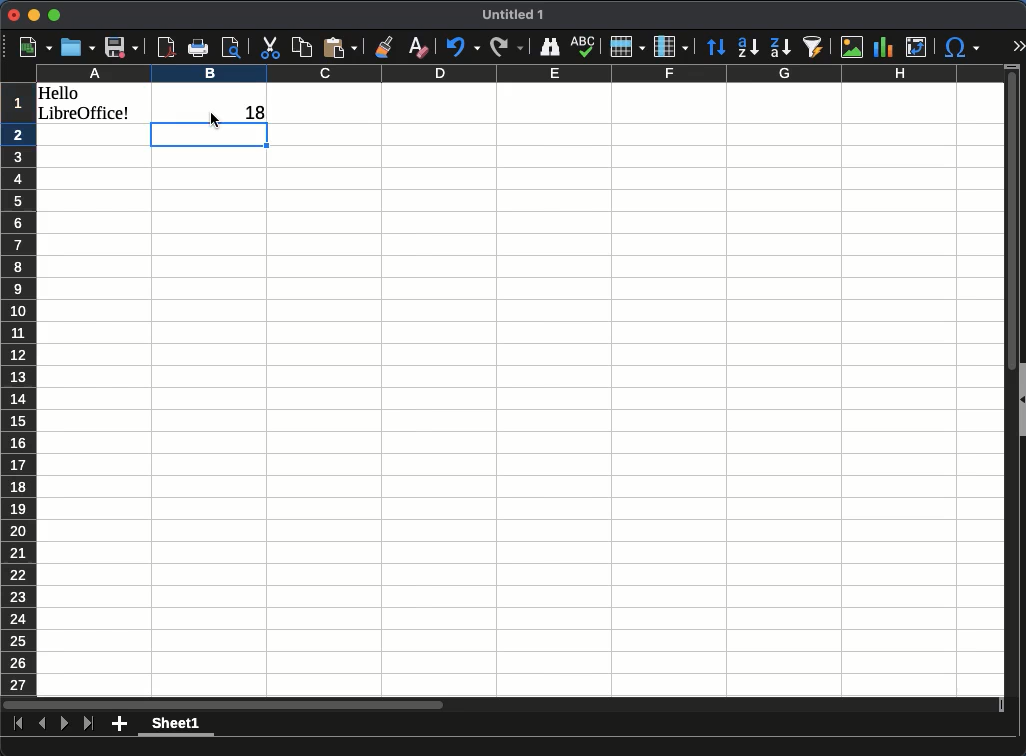 The image size is (1026, 756). Describe the element at coordinates (1020, 47) in the screenshot. I see `expand` at that location.